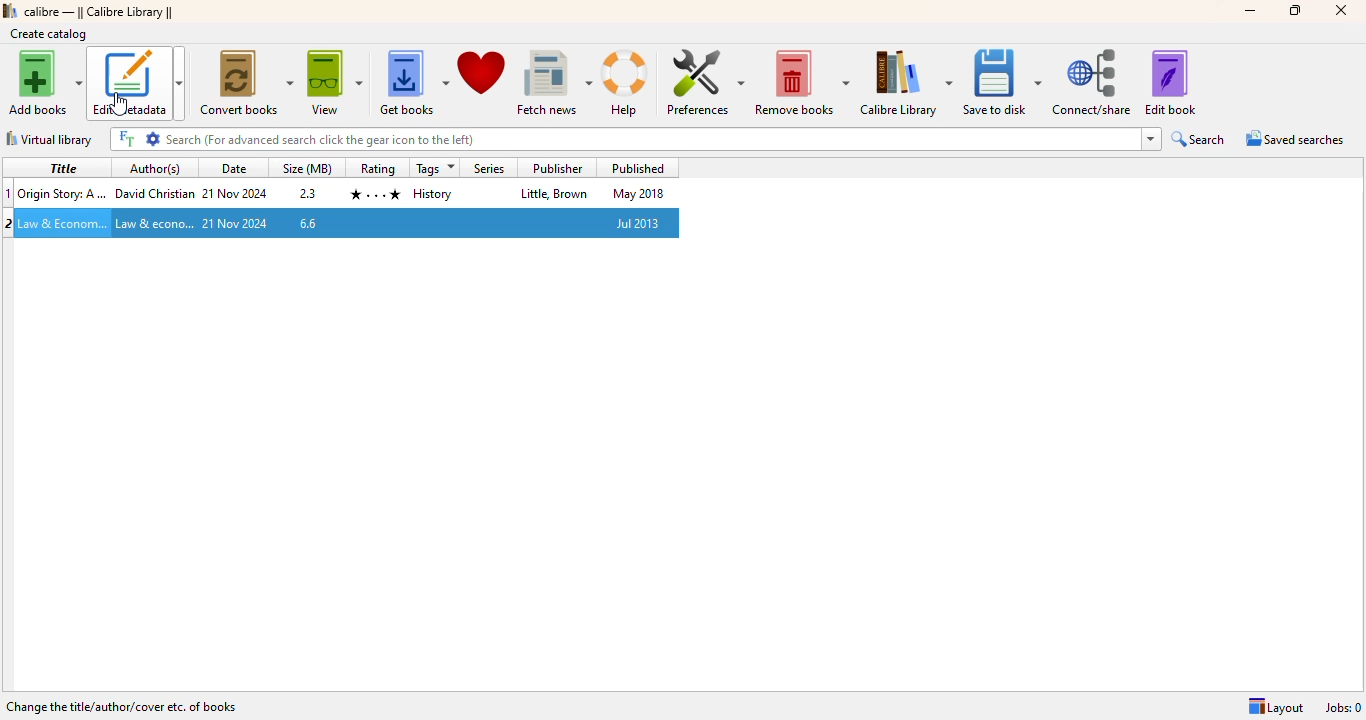  What do you see at coordinates (65, 222) in the screenshot?
I see `Title` at bounding box center [65, 222].